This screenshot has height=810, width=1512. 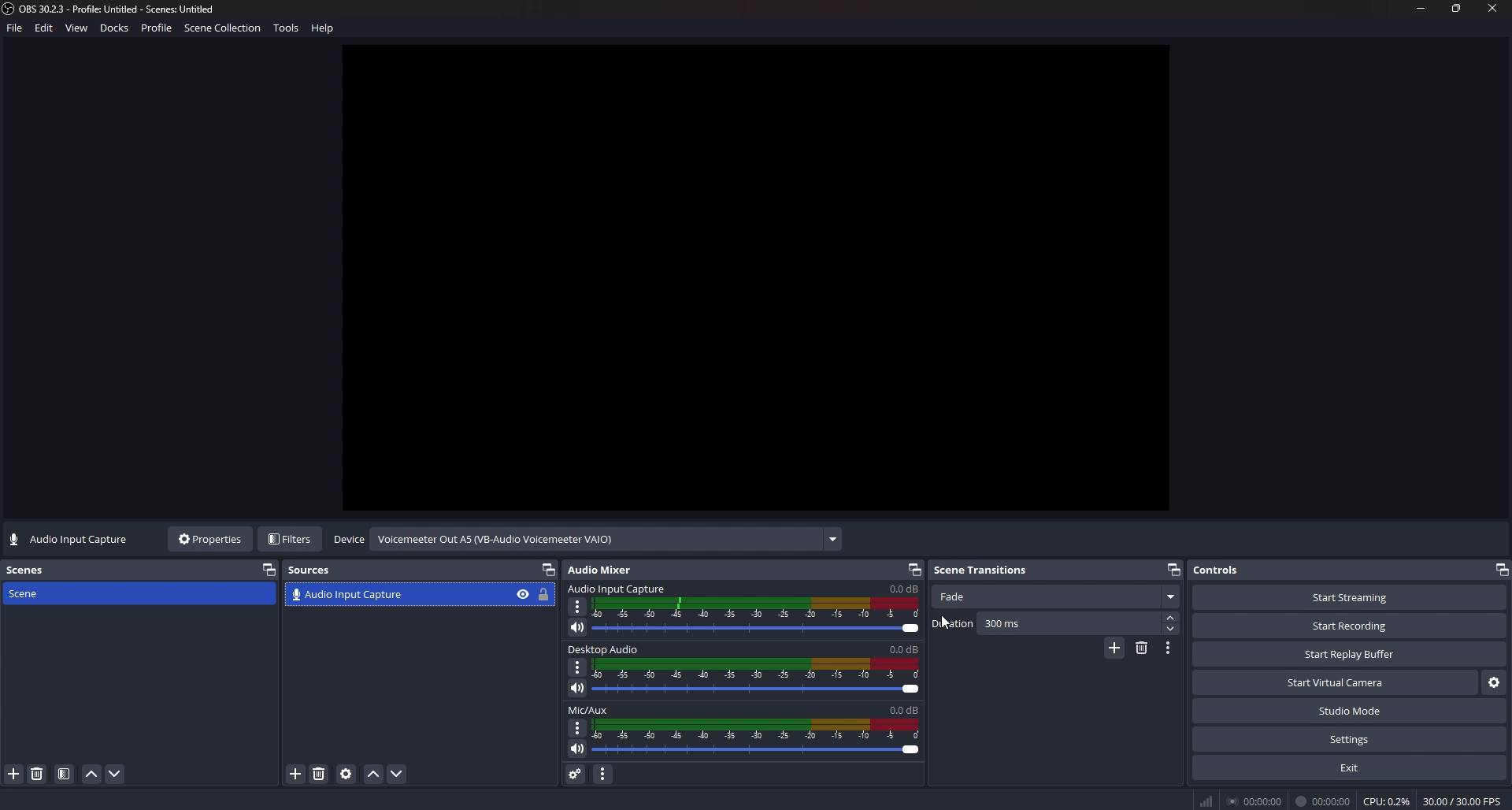 What do you see at coordinates (65, 775) in the screenshot?
I see `filter` at bounding box center [65, 775].